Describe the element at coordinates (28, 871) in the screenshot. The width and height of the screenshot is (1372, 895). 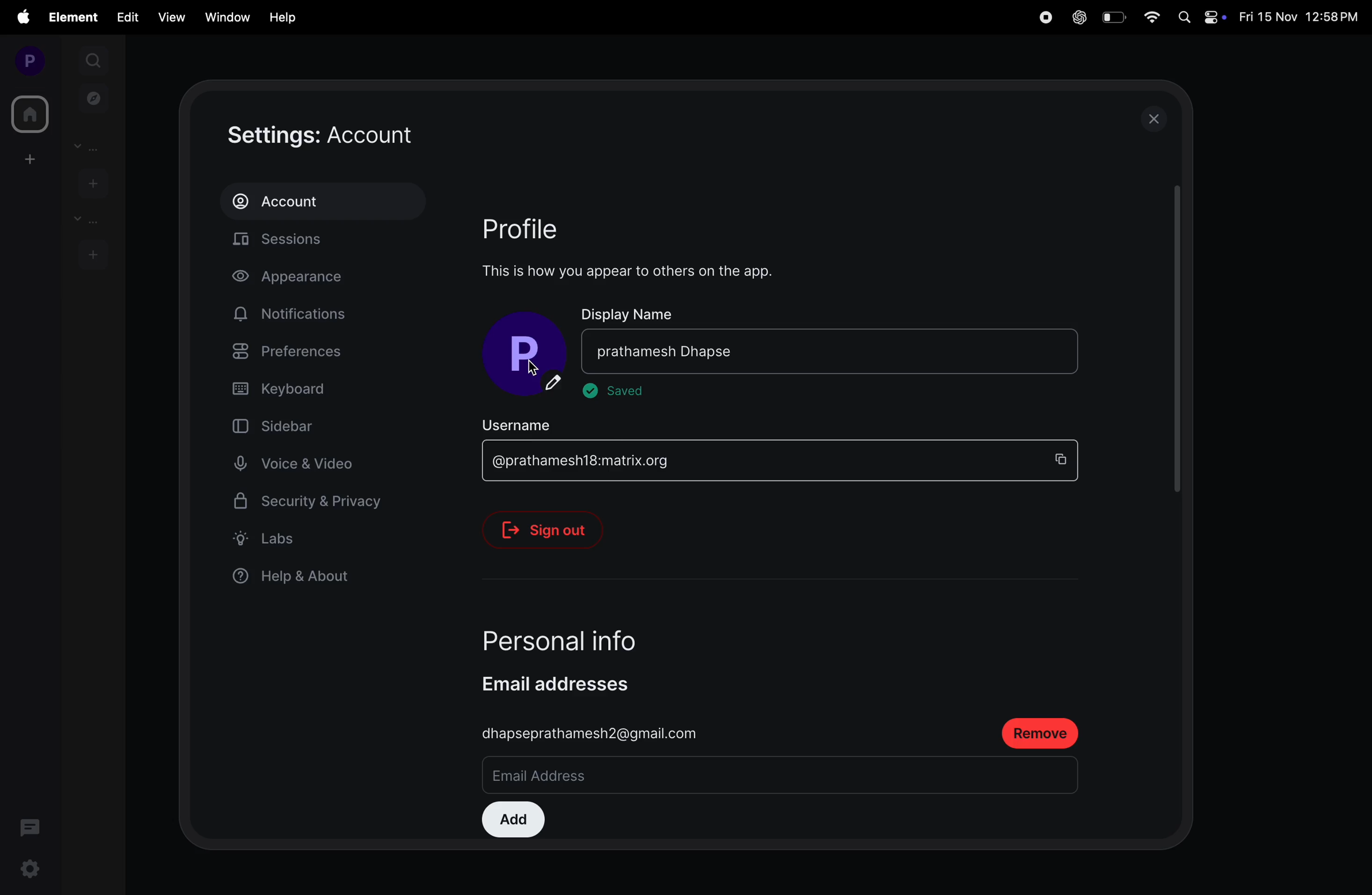
I see `settings` at that location.